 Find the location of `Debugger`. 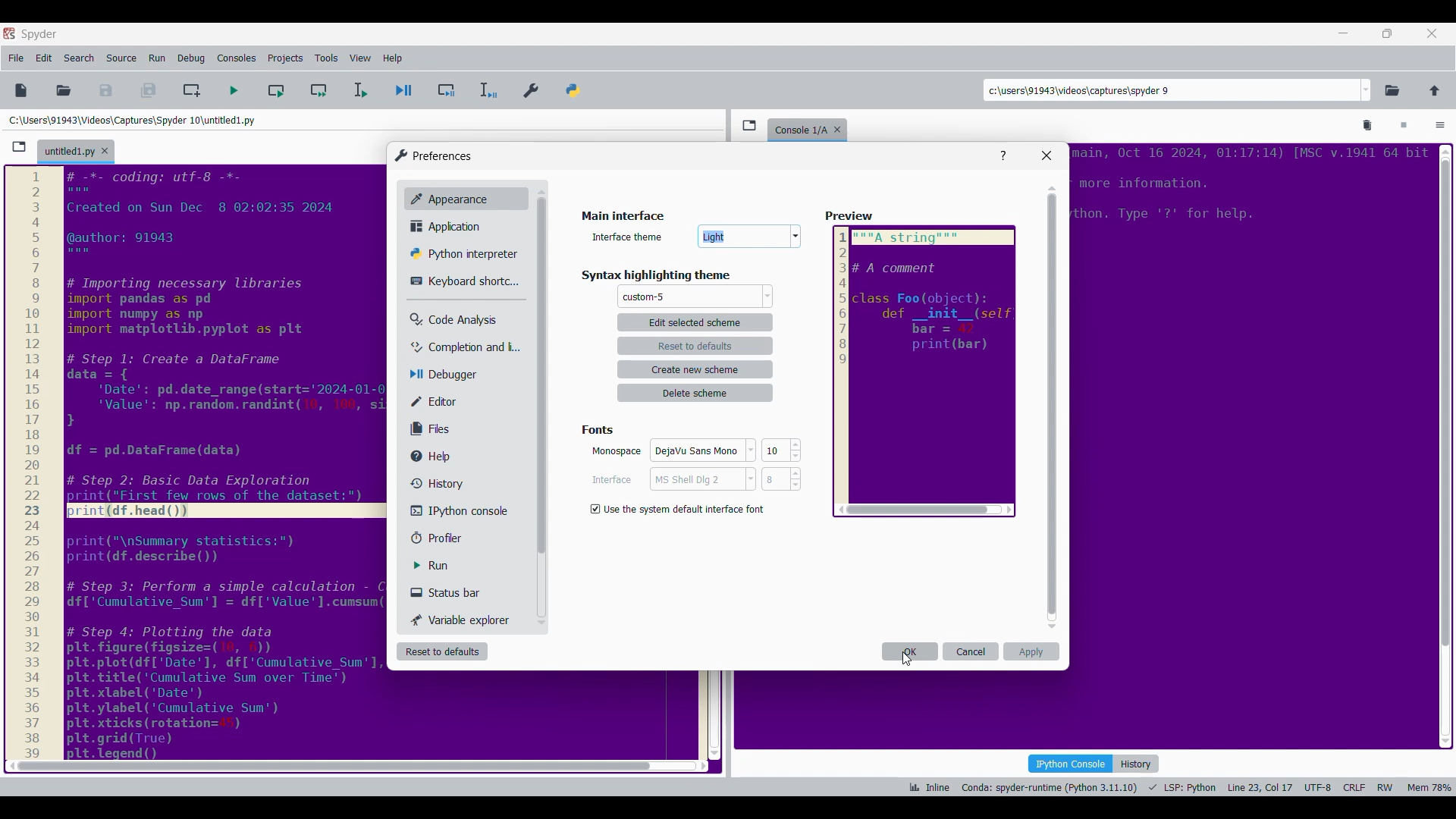

Debugger is located at coordinates (450, 375).